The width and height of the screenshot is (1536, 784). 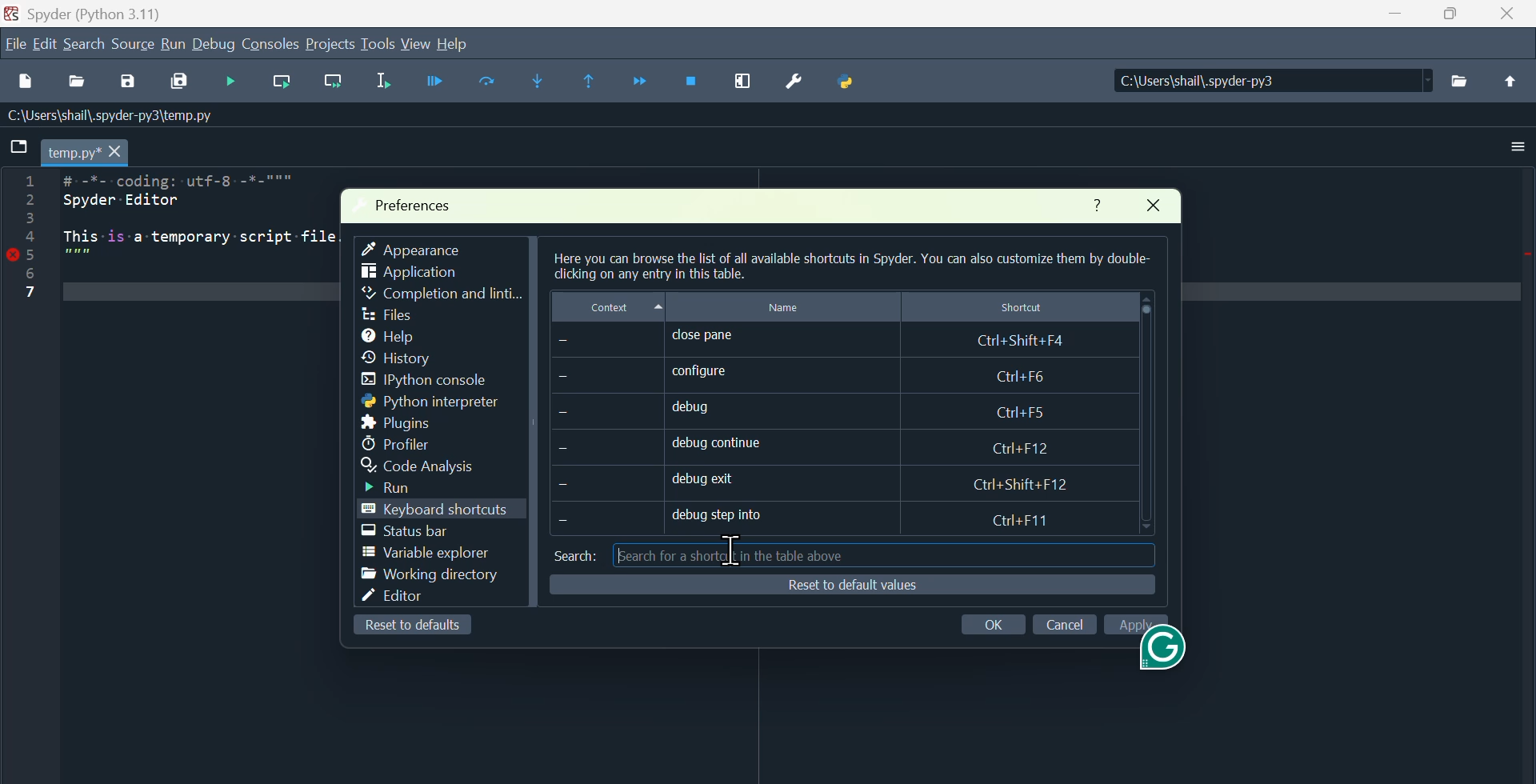 I want to click on help, so click(x=457, y=44).